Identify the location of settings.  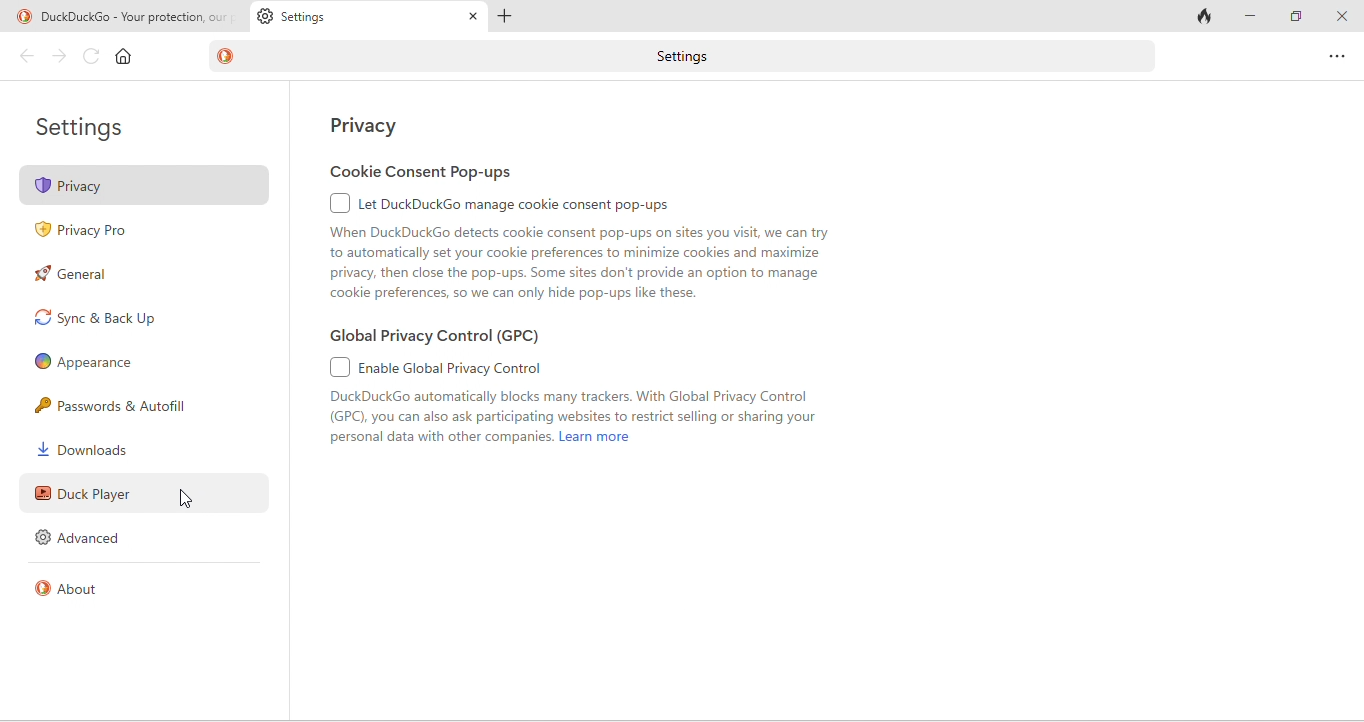
(94, 127).